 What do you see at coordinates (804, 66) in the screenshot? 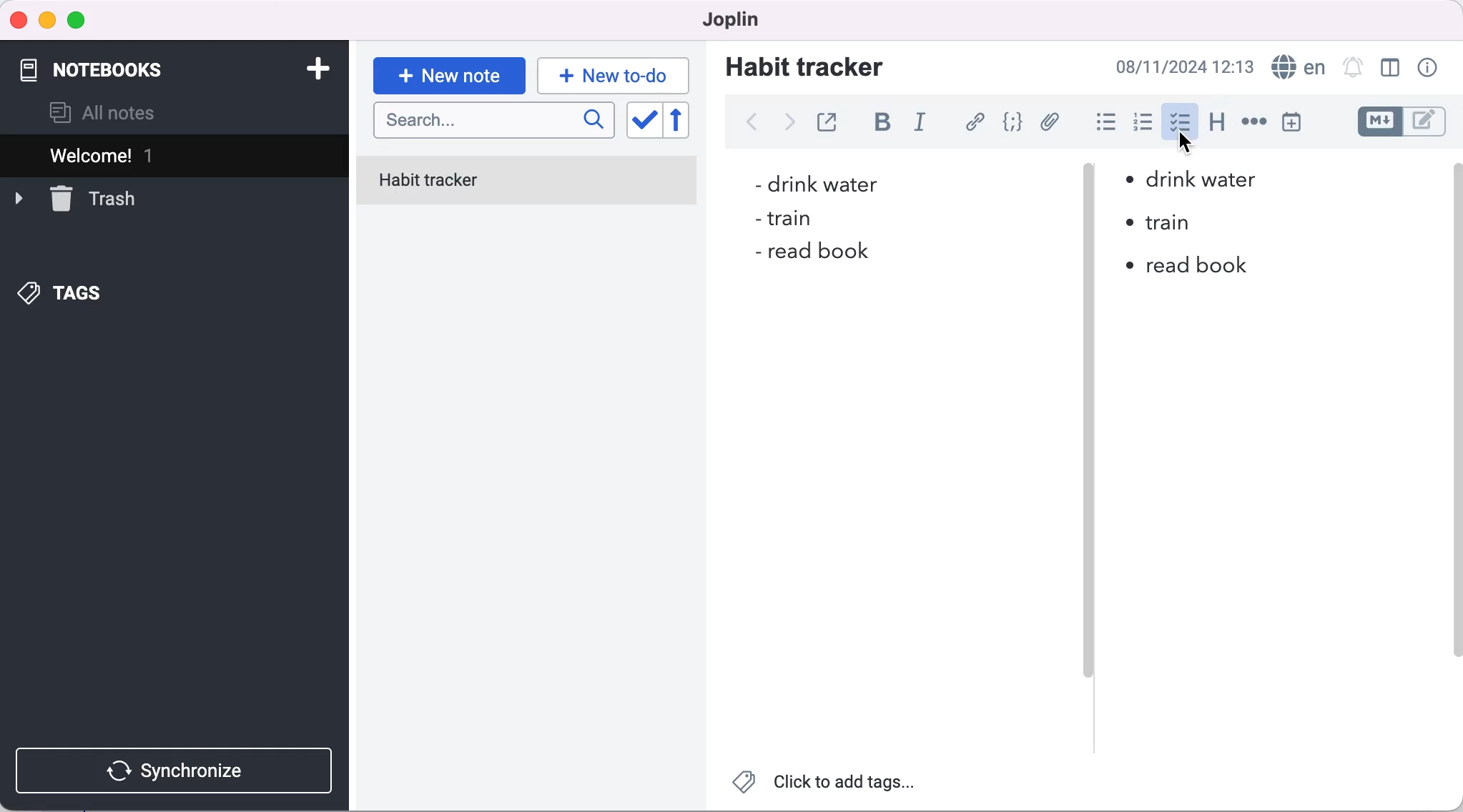
I see `habit tracker` at bounding box center [804, 66].